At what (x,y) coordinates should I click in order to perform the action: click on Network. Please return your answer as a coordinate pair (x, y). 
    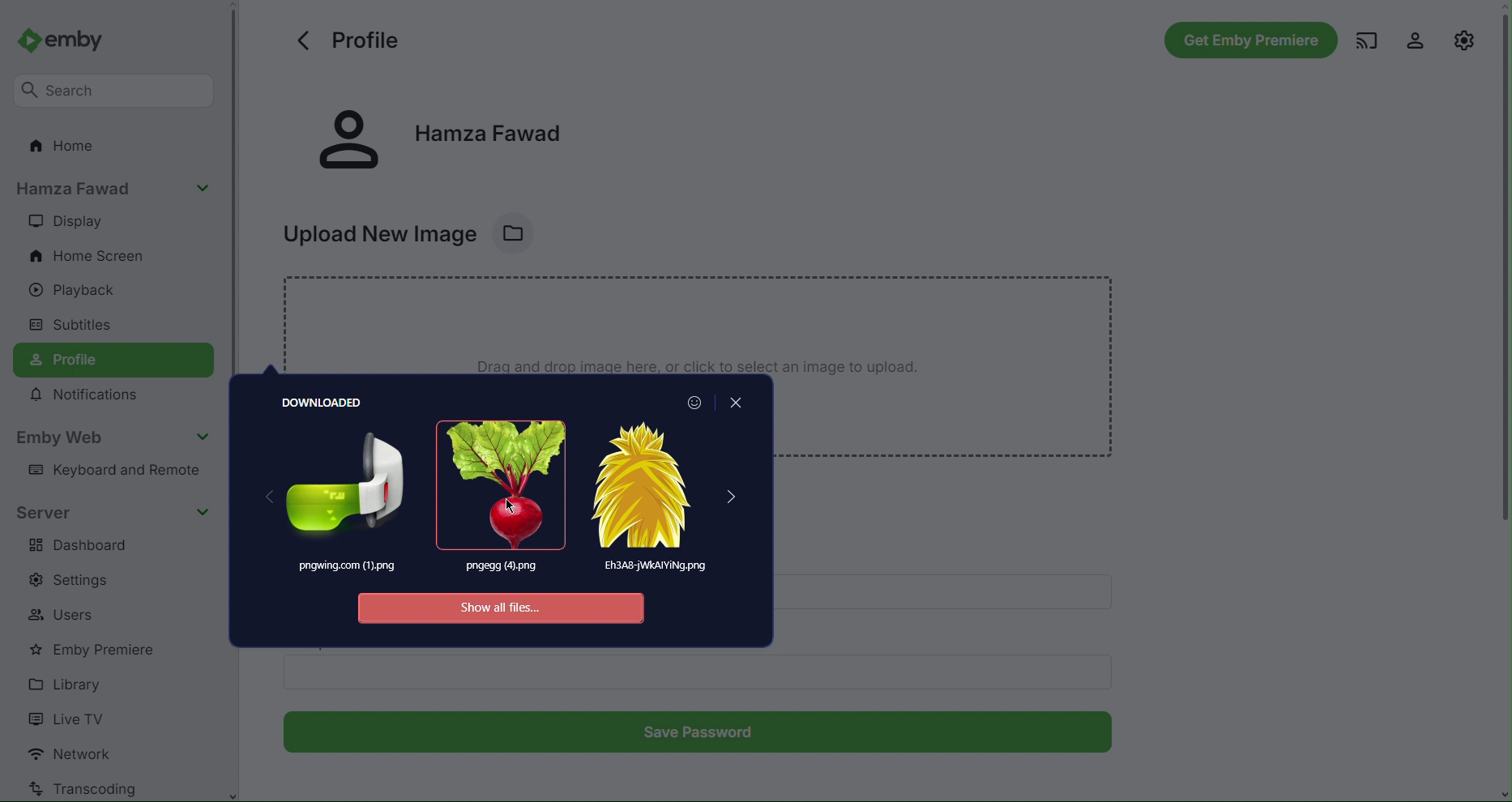
    Looking at the image, I should click on (77, 755).